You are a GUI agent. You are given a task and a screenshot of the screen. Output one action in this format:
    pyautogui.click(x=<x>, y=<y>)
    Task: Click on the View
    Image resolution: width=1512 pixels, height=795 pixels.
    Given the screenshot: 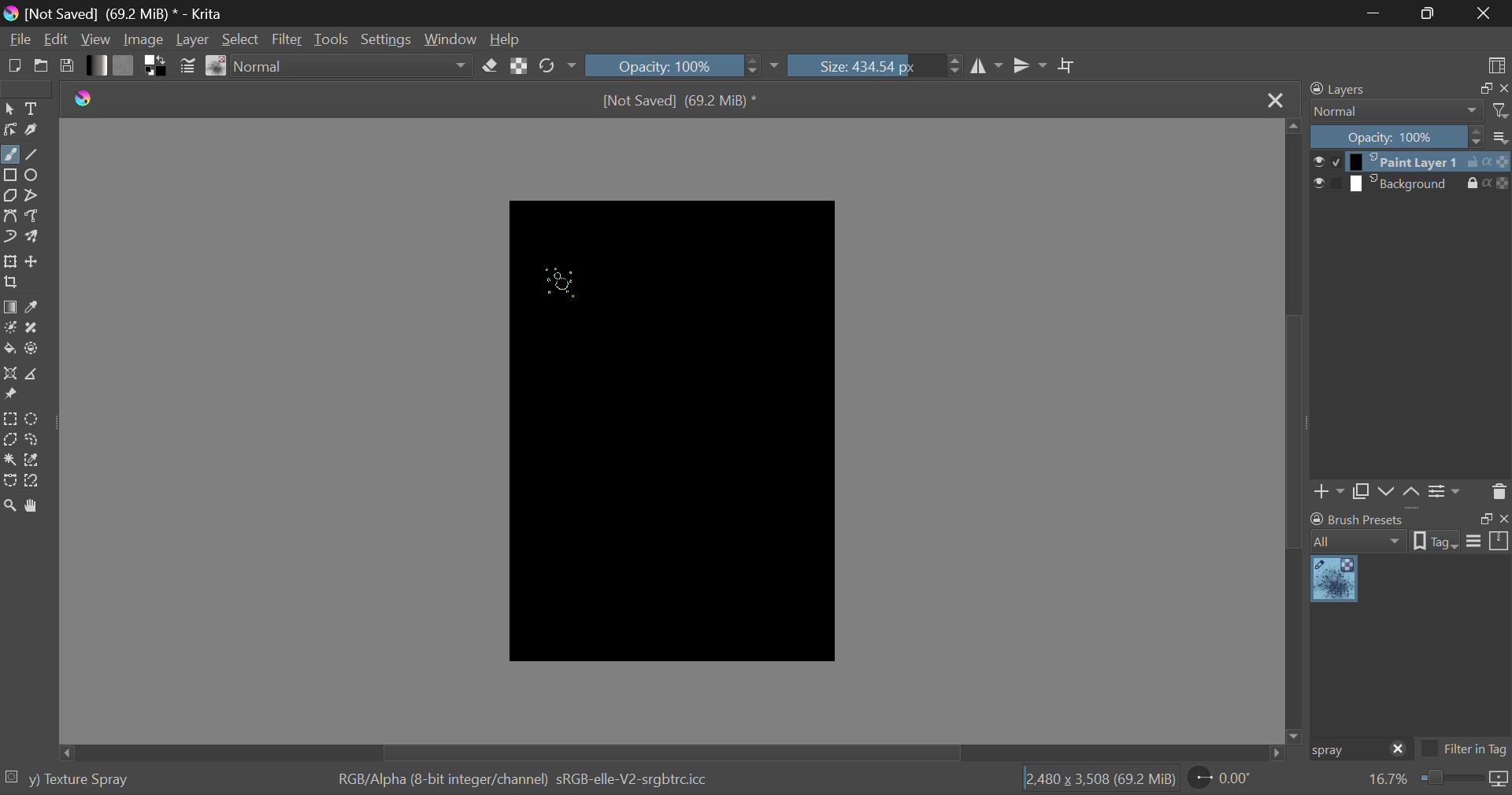 What is the action you would take?
    pyautogui.click(x=98, y=39)
    